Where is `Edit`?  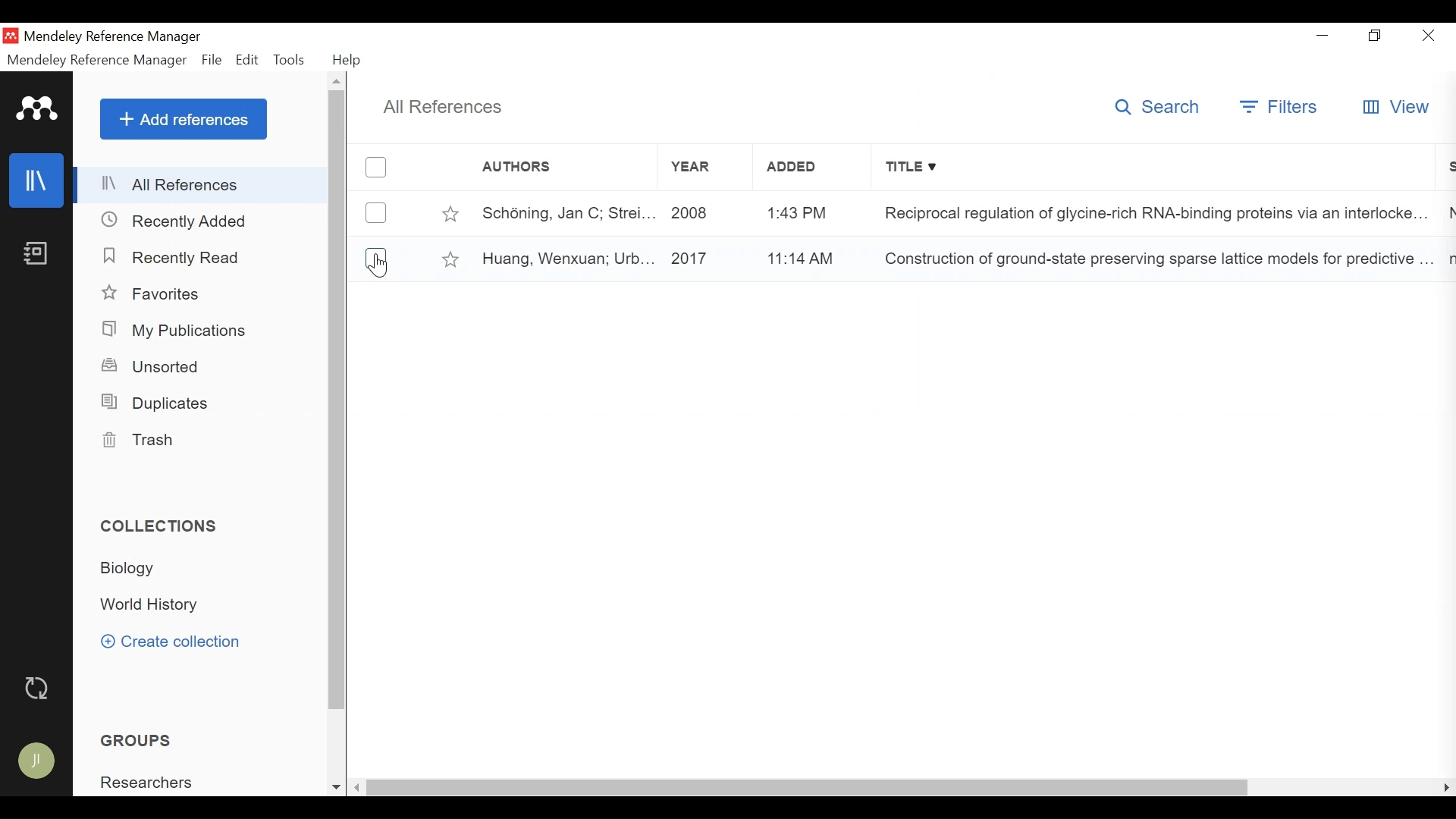 Edit is located at coordinates (246, 60).